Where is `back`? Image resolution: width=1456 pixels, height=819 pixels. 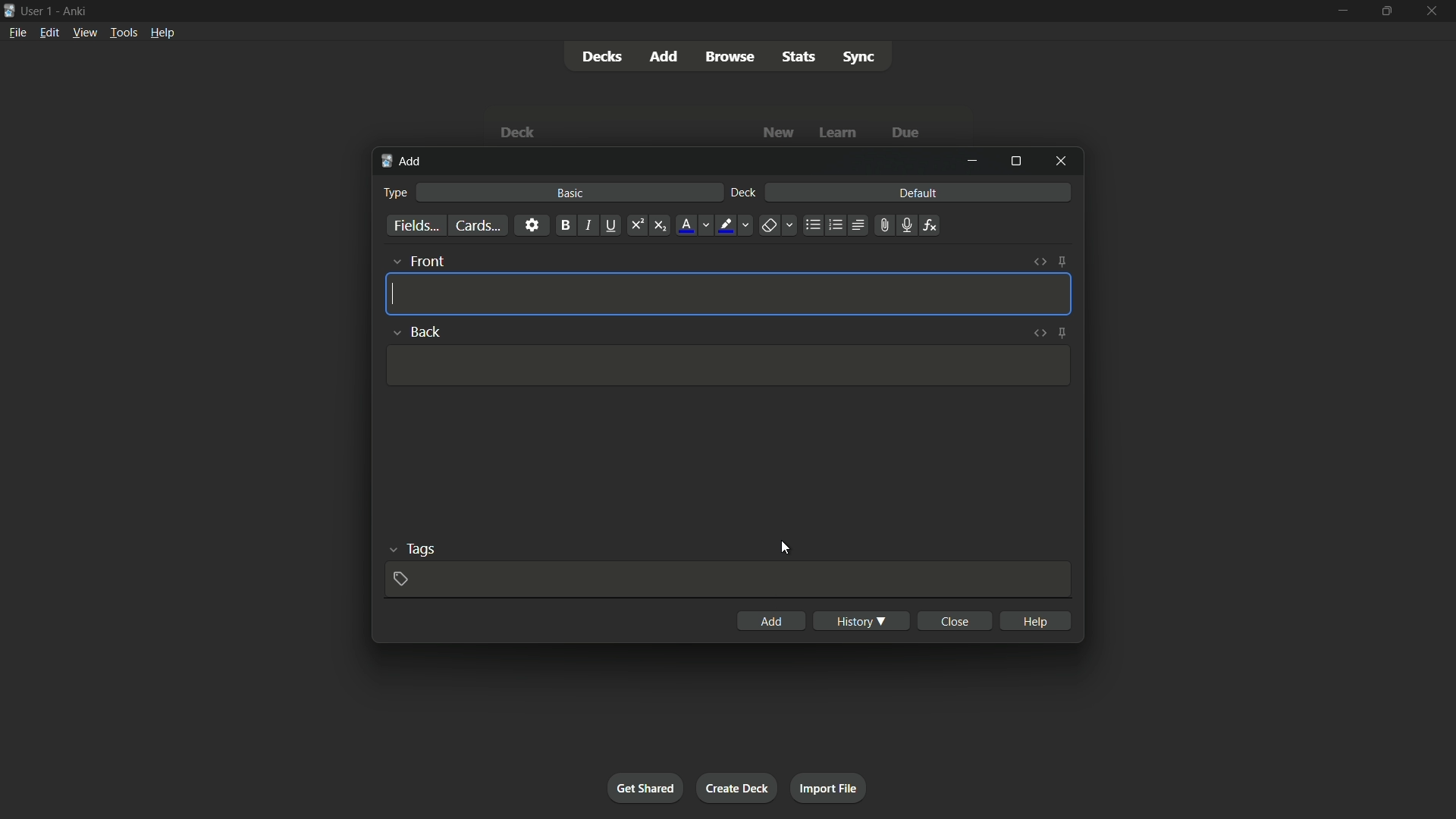 back is located at coordinates (414, 331).